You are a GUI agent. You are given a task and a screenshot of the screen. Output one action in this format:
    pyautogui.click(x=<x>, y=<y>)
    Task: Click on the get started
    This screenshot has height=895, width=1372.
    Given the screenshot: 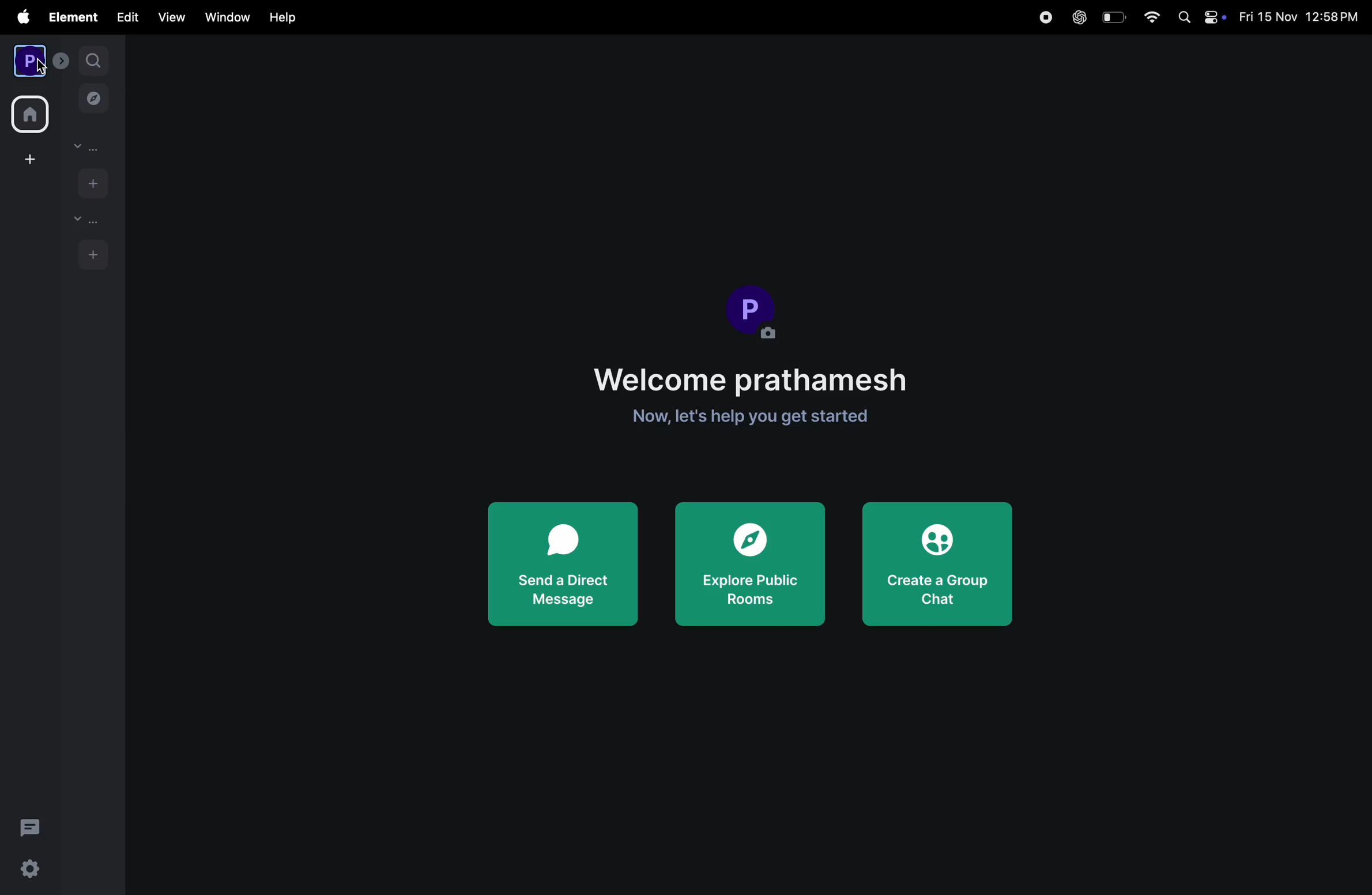 What is the action you would take?
    pyautogui.click(x=752, y=419)
    